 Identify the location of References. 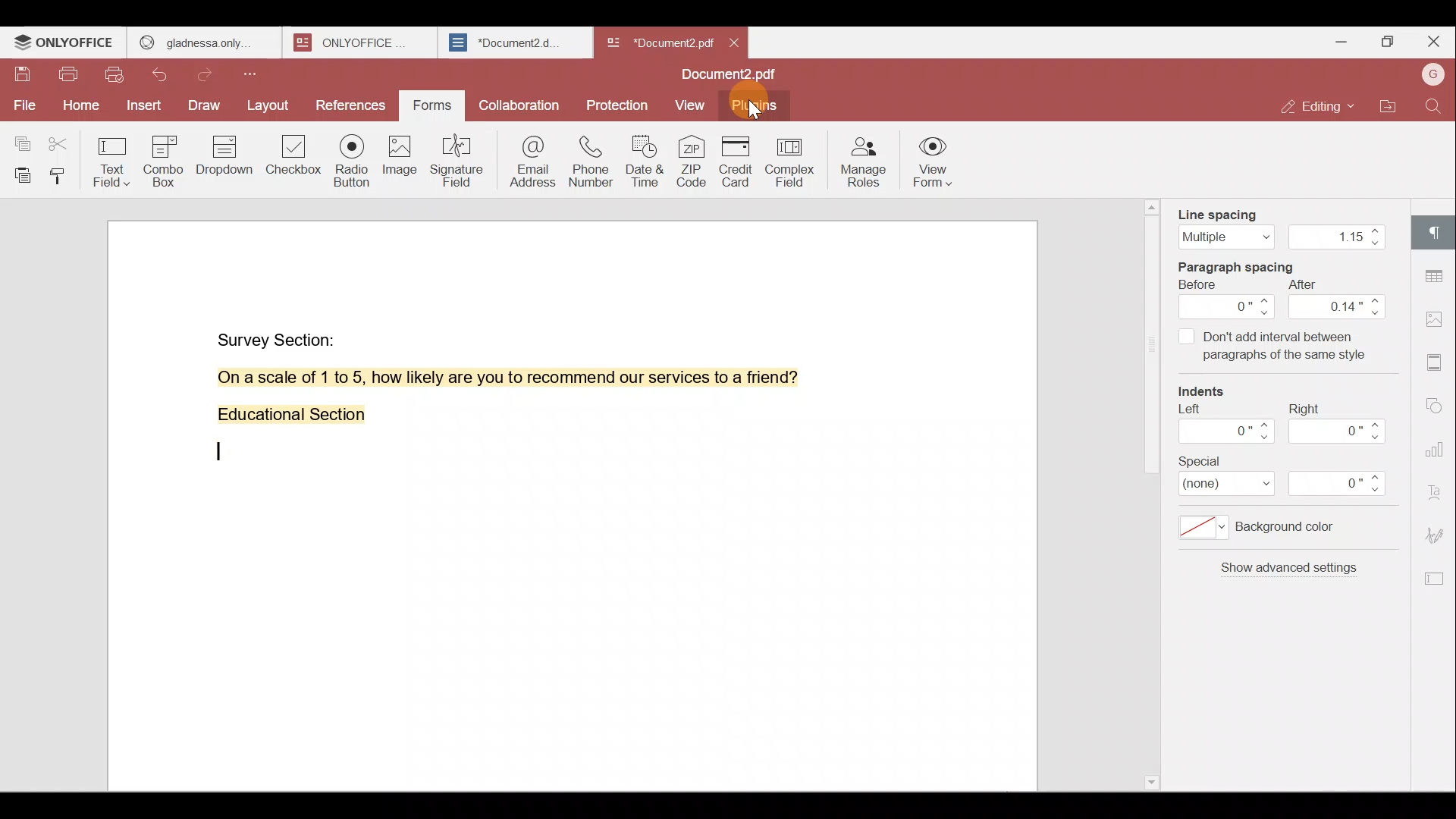
(352, 107).